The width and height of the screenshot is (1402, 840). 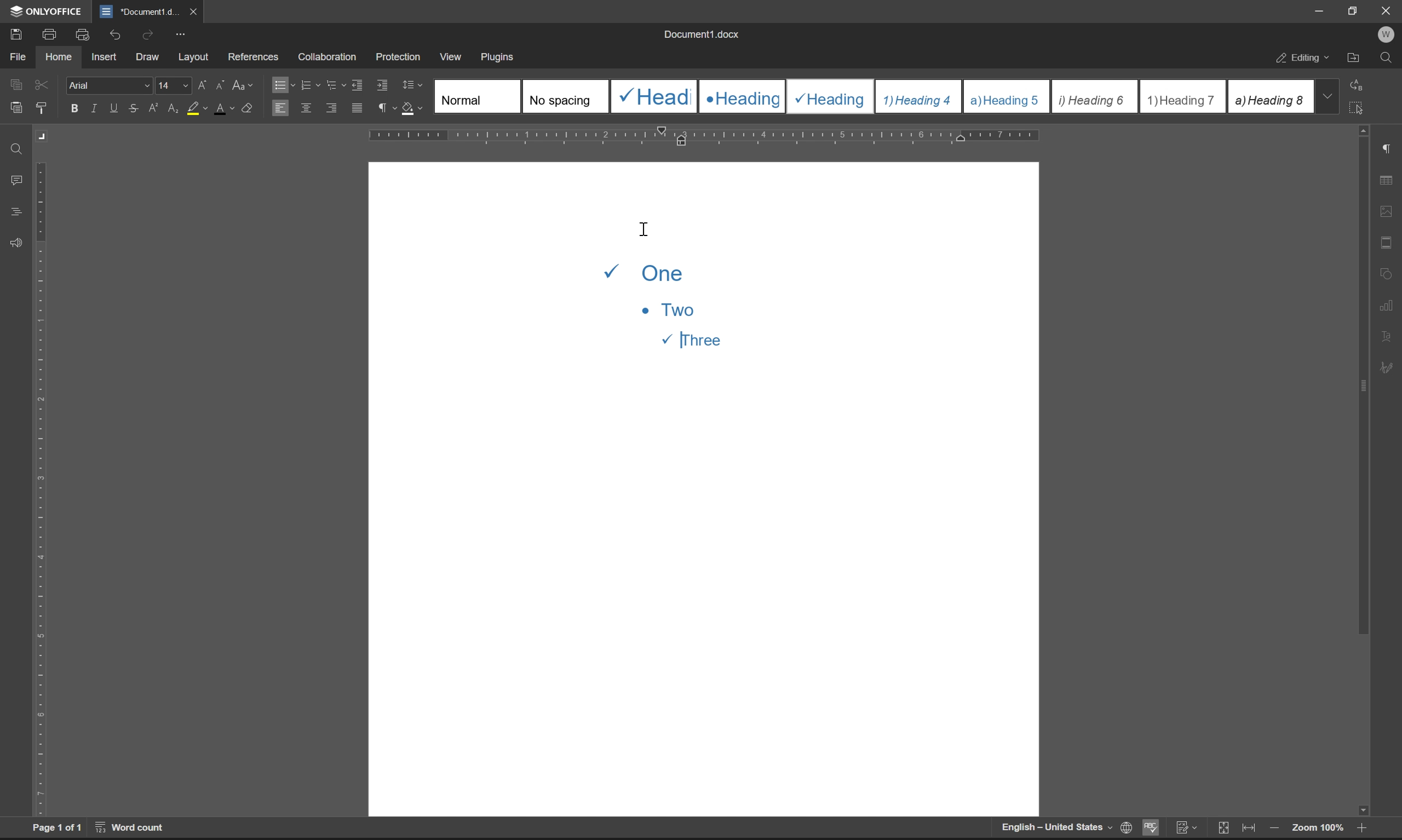 I want to click on signature settings, so click(x=1390, y=368).